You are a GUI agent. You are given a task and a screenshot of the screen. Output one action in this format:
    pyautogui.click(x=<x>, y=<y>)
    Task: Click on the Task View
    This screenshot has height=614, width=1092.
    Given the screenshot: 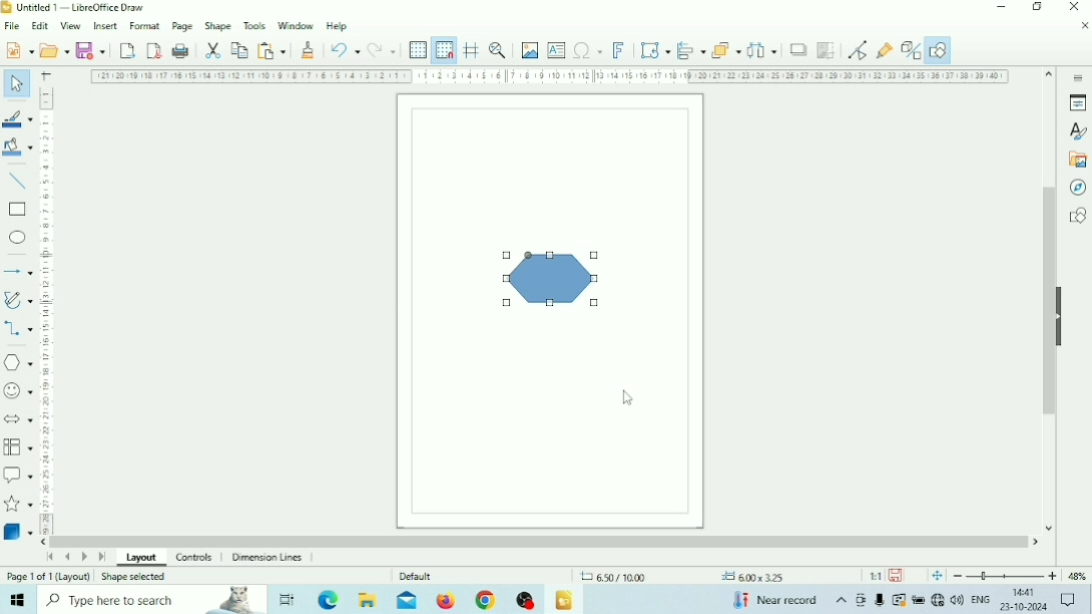 What is the action you would take?
    pyautogui.click(x=287, y=600)
    